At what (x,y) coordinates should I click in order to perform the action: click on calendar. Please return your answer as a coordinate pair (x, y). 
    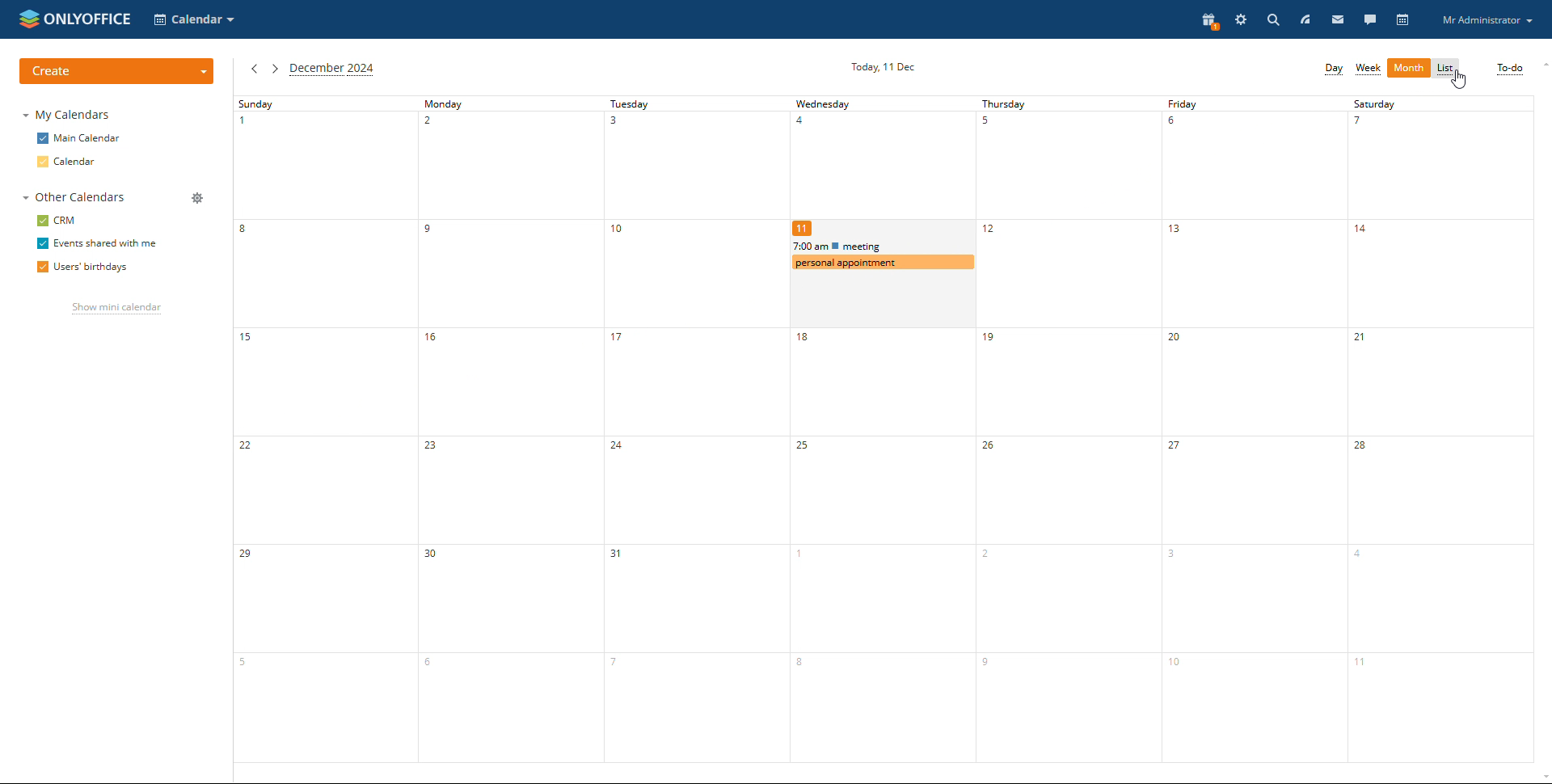
    Looking at the image, I should click on (69, 162).